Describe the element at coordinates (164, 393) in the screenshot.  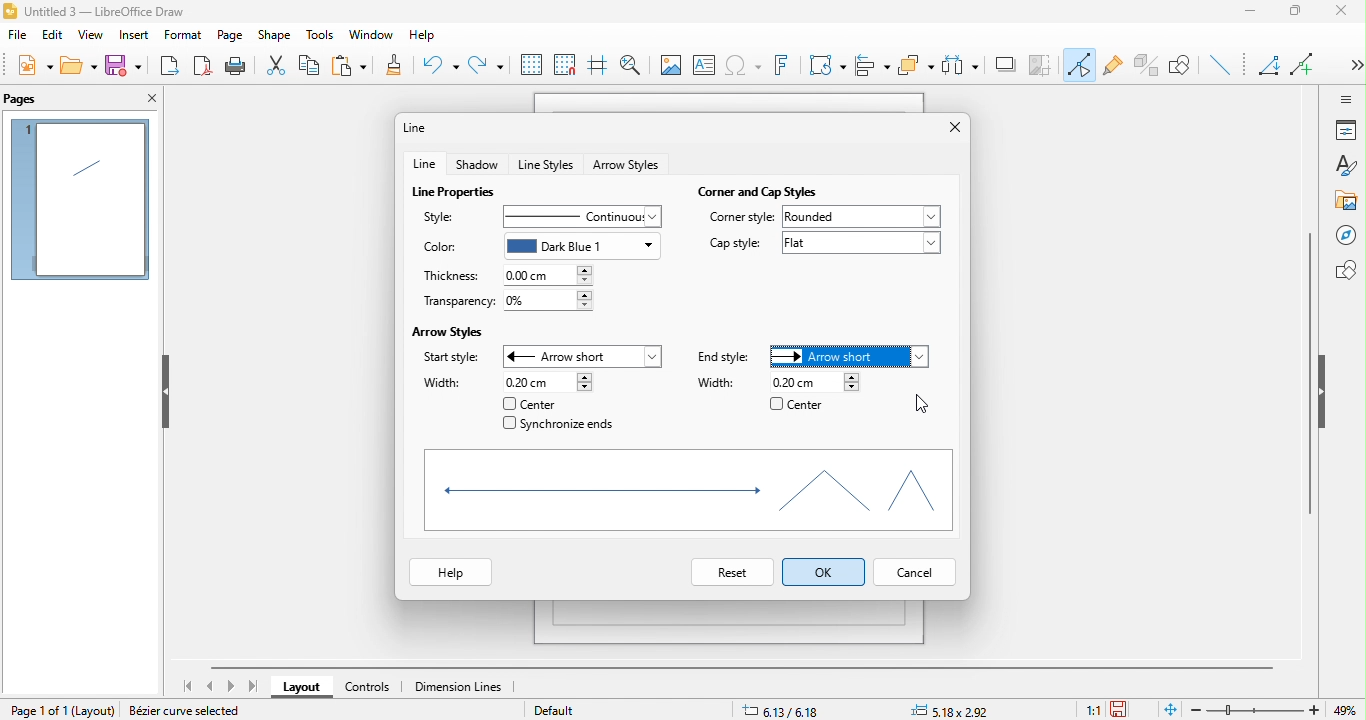
I see `hide` at that location.